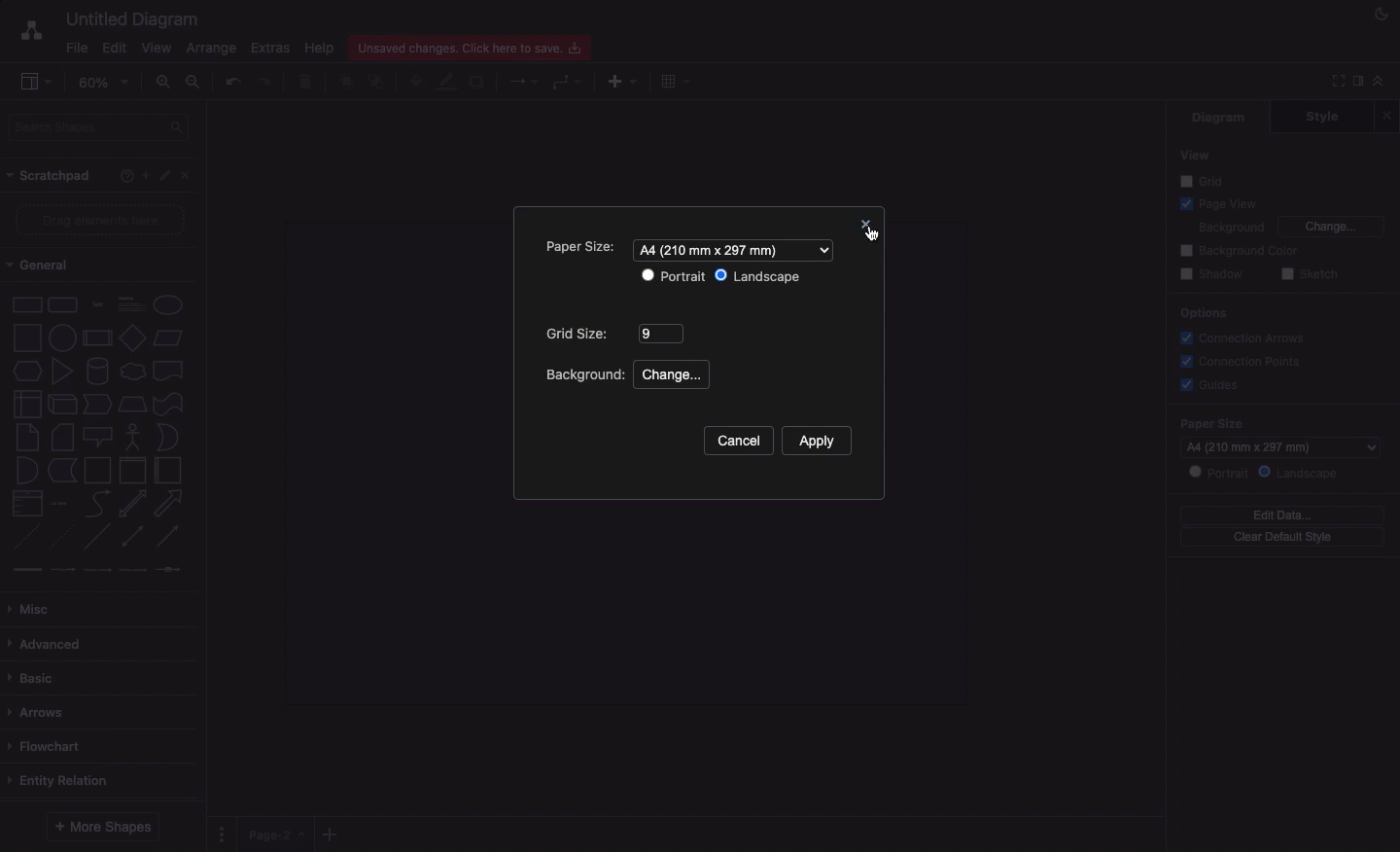 This screenshot has width=1400, height=852. What do you see at coordinates (448, 83) in the screenshot?
I see `Line fill` at bounding box center [448, 83].